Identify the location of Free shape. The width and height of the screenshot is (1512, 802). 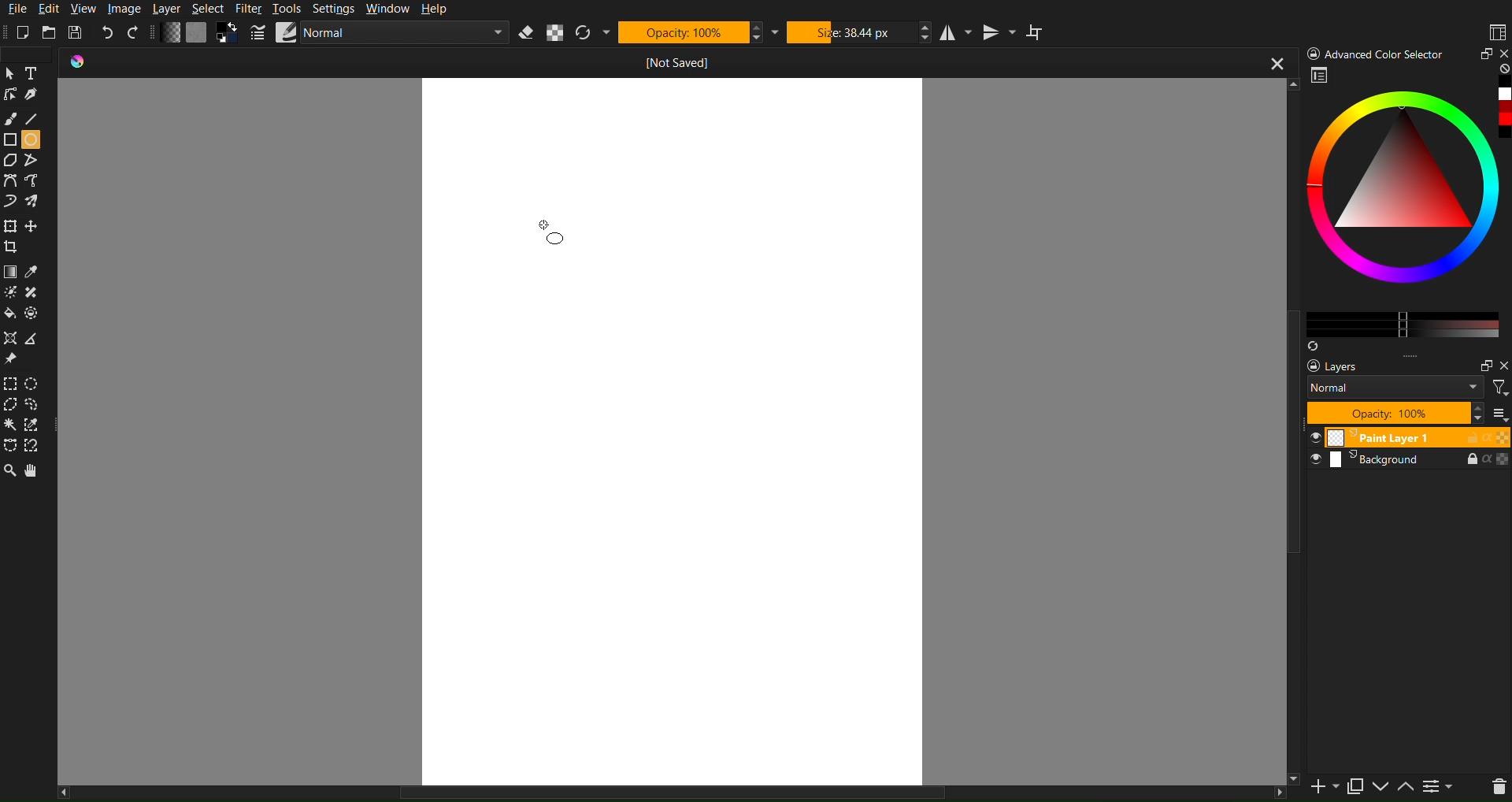
(11, 446).